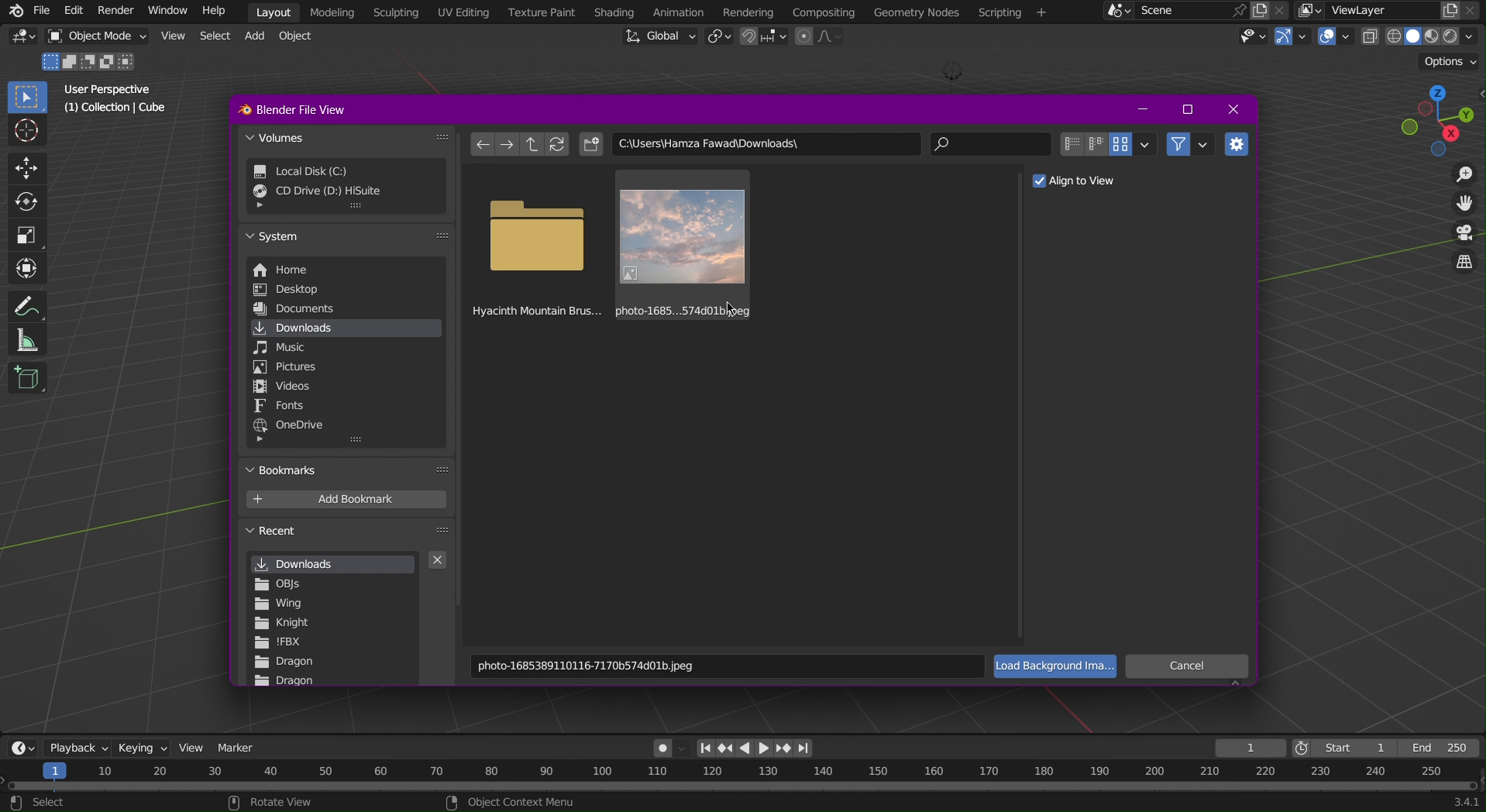 The image size is (1486, 812). Describe the element at coordinates (214, 37) in the screenshot. I see `Select` at that location.